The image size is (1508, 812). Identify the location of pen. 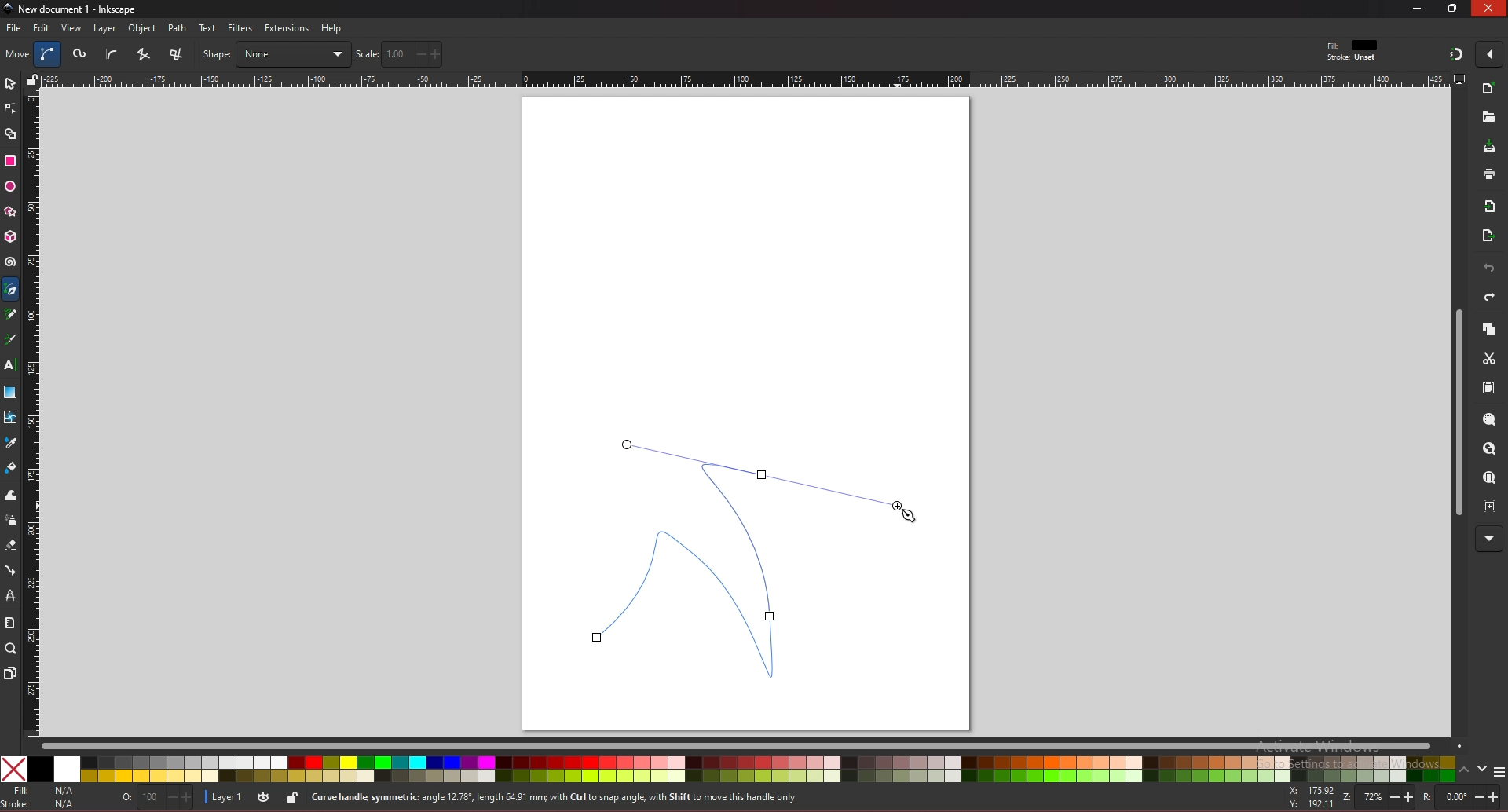
(13, 290).